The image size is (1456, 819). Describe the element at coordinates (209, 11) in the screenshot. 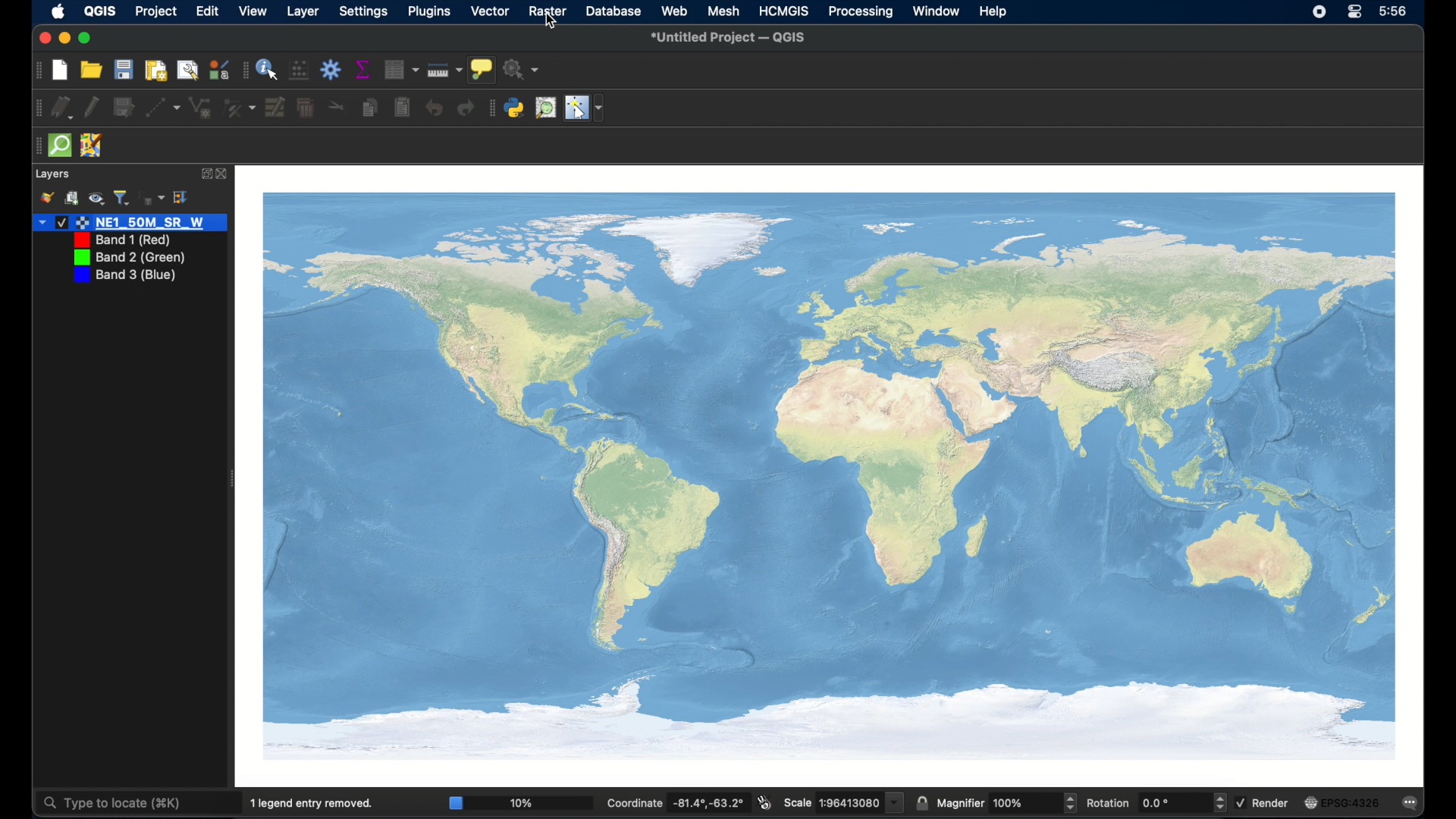

I see `edit` at that location.